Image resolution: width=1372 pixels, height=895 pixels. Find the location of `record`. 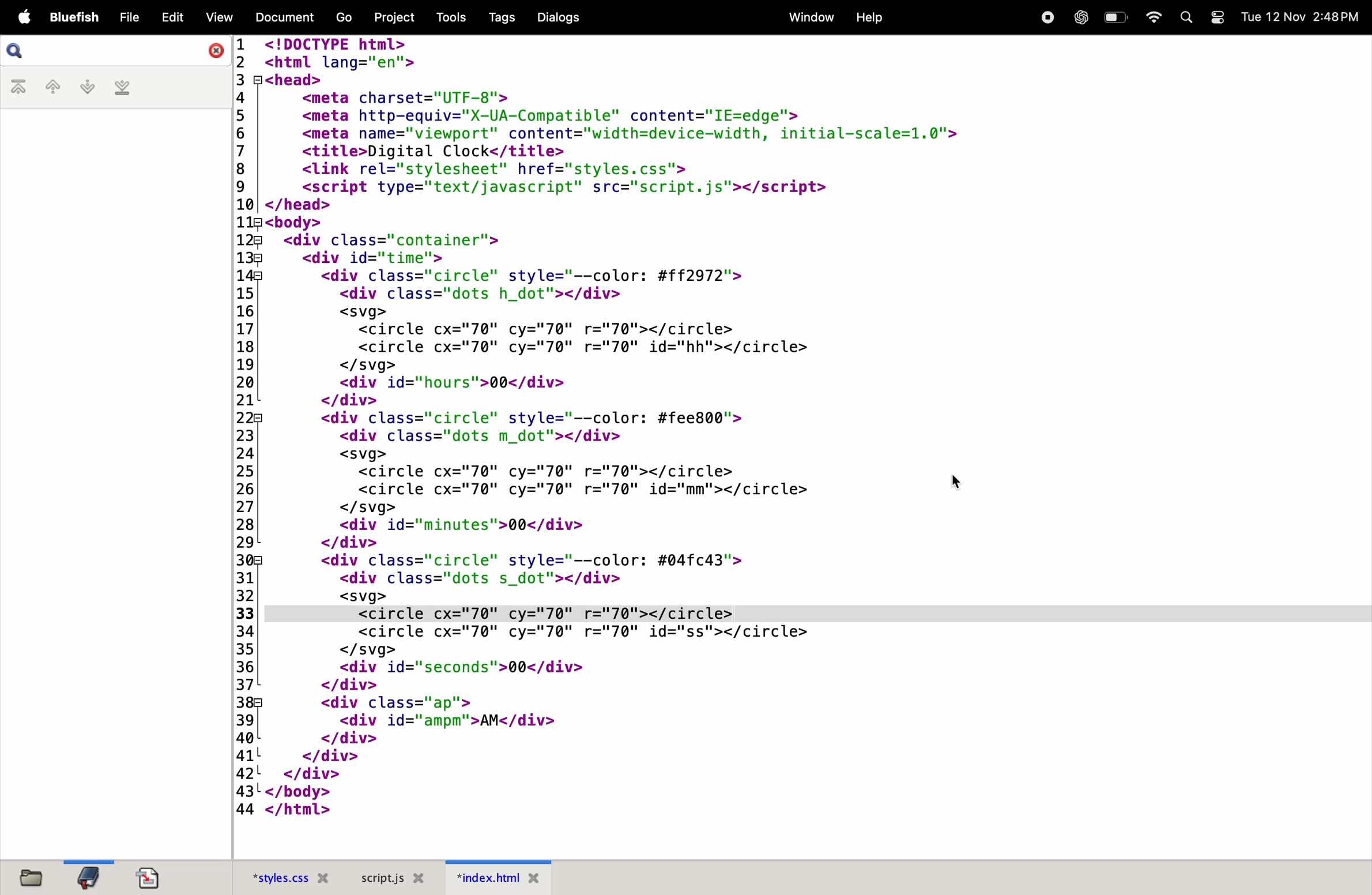

record is located at coordinates (1044, 17).